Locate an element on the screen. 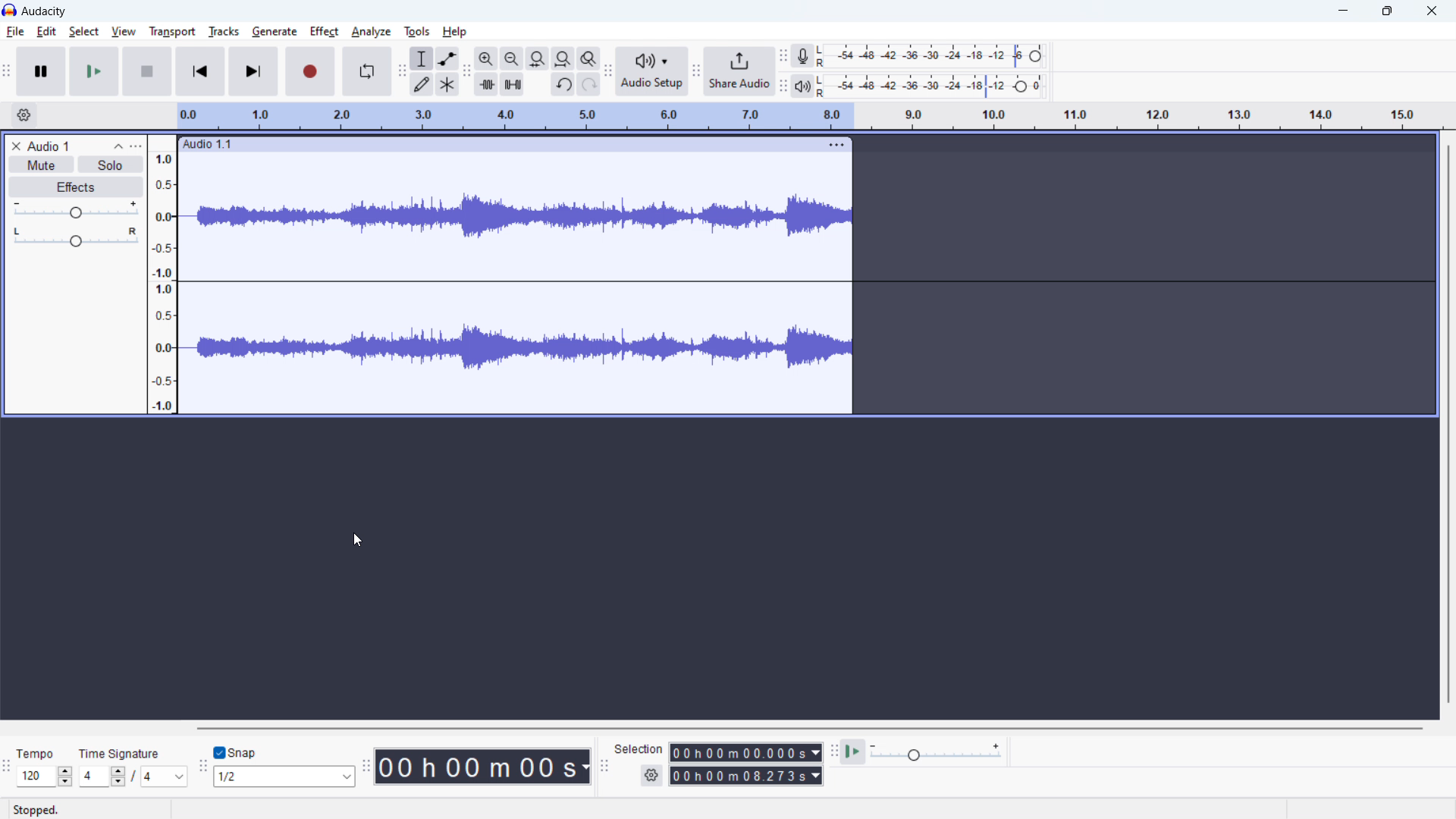  selection tool is located at coordinates (422, 58).